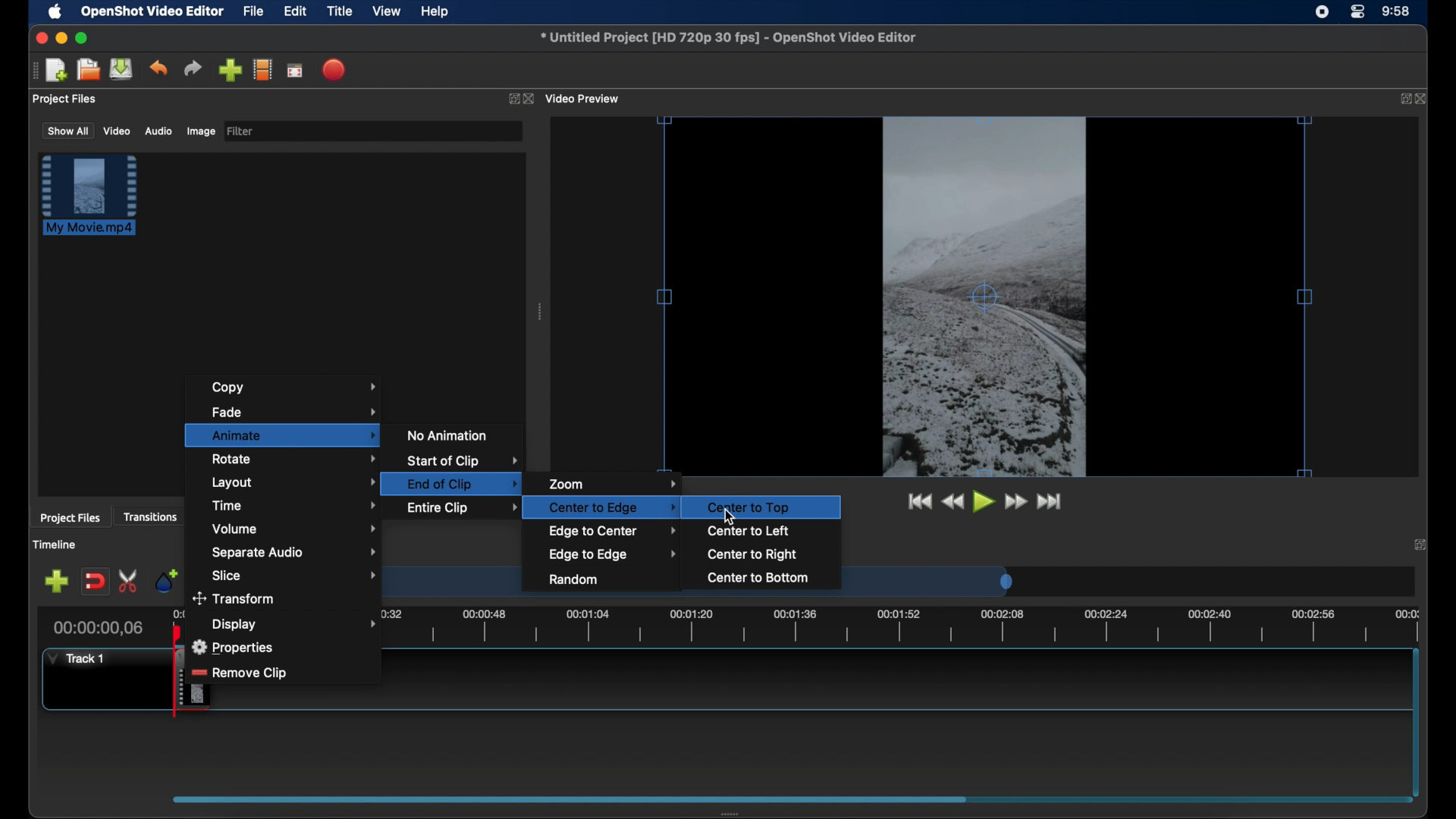 The width and height of the screenshot is (1456, 819). Describe the element at coordinates (284, 435) in the screenshot. I see `animate menu` at that location.